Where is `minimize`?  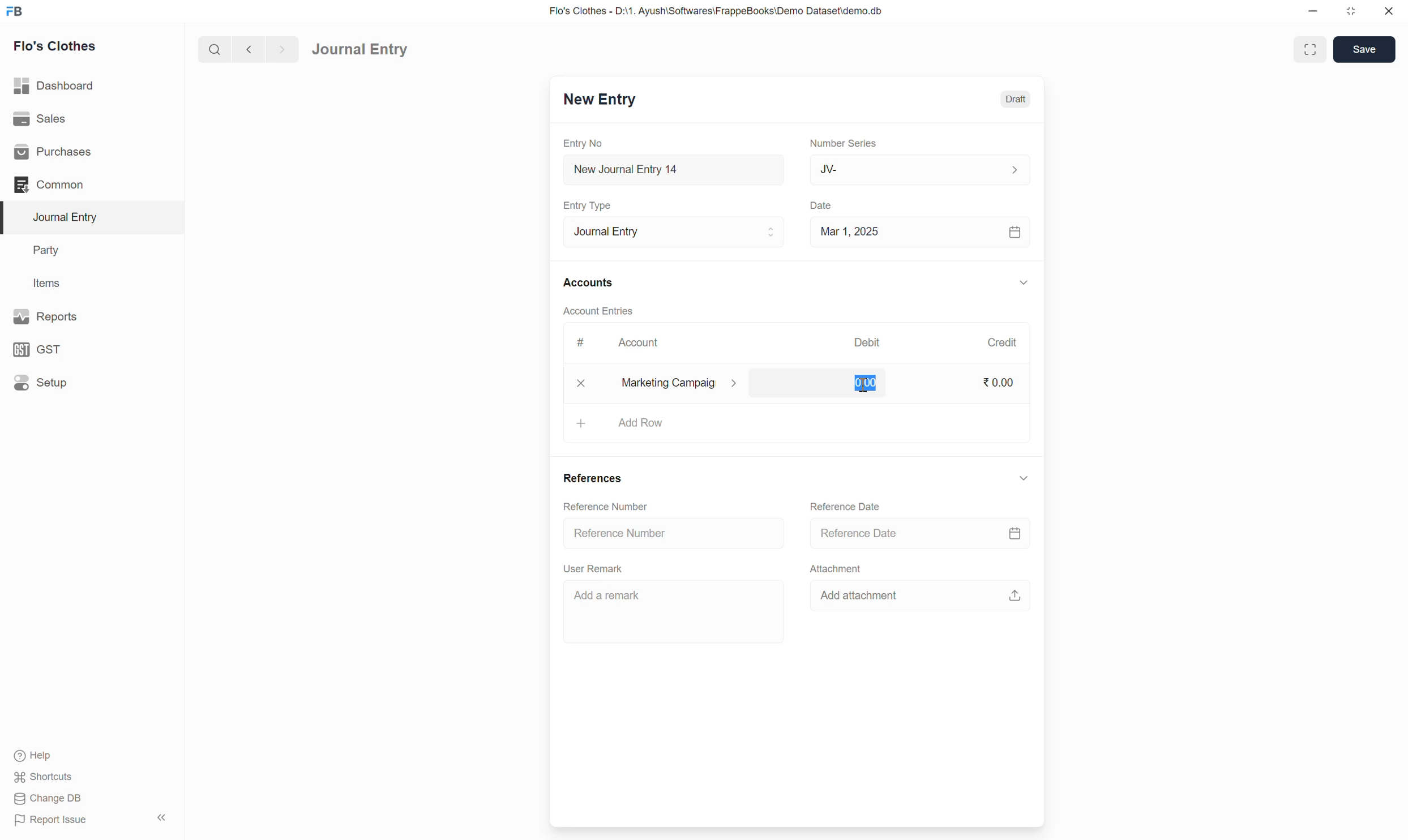
minimize is located at coordinates (1313, 12).